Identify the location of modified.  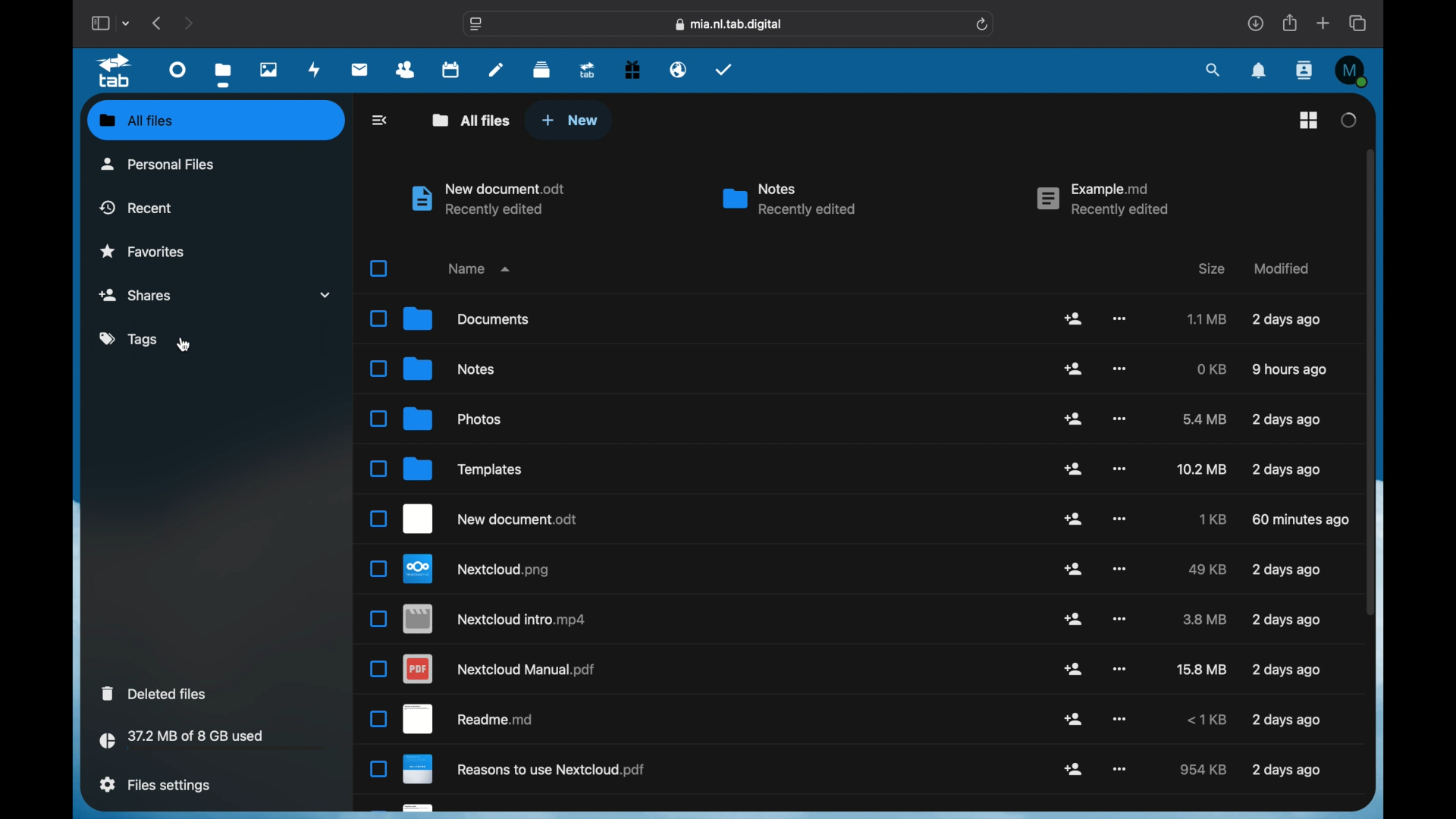
(1282, 268).